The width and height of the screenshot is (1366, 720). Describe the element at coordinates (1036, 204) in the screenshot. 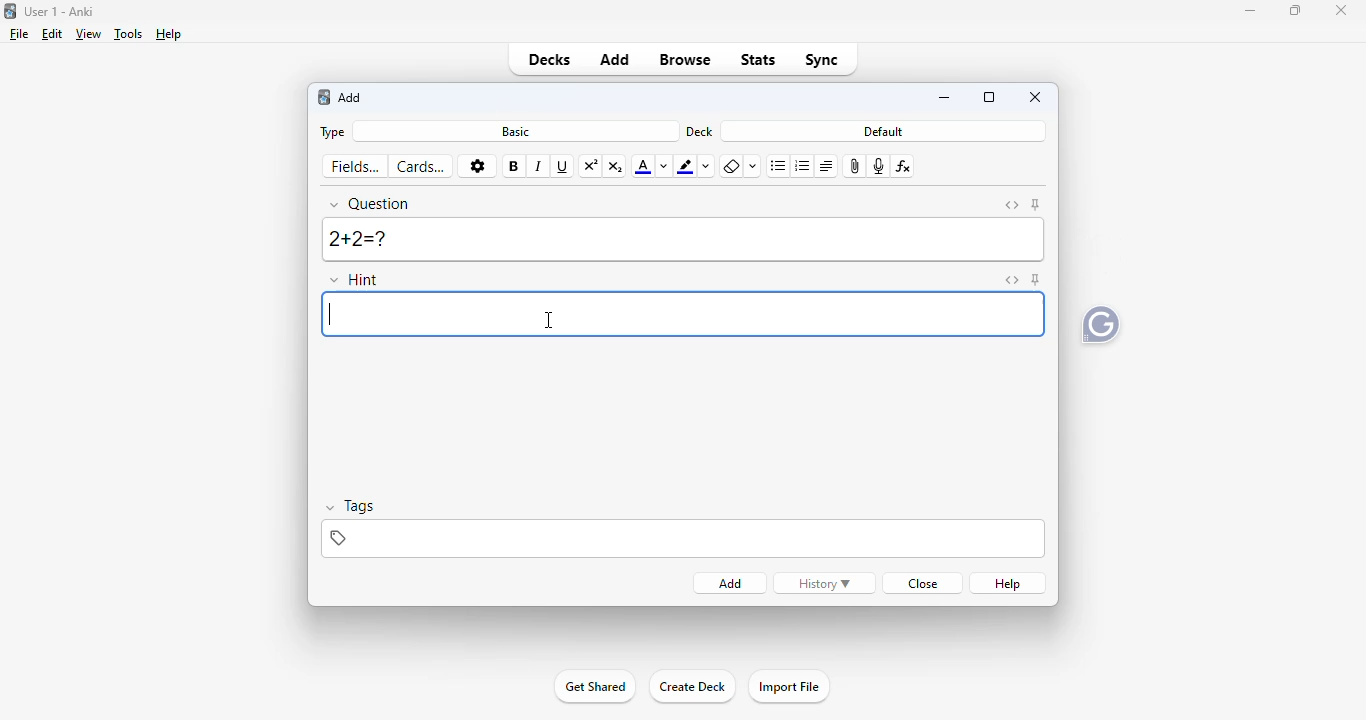

I see `toggle sticky` at that location.